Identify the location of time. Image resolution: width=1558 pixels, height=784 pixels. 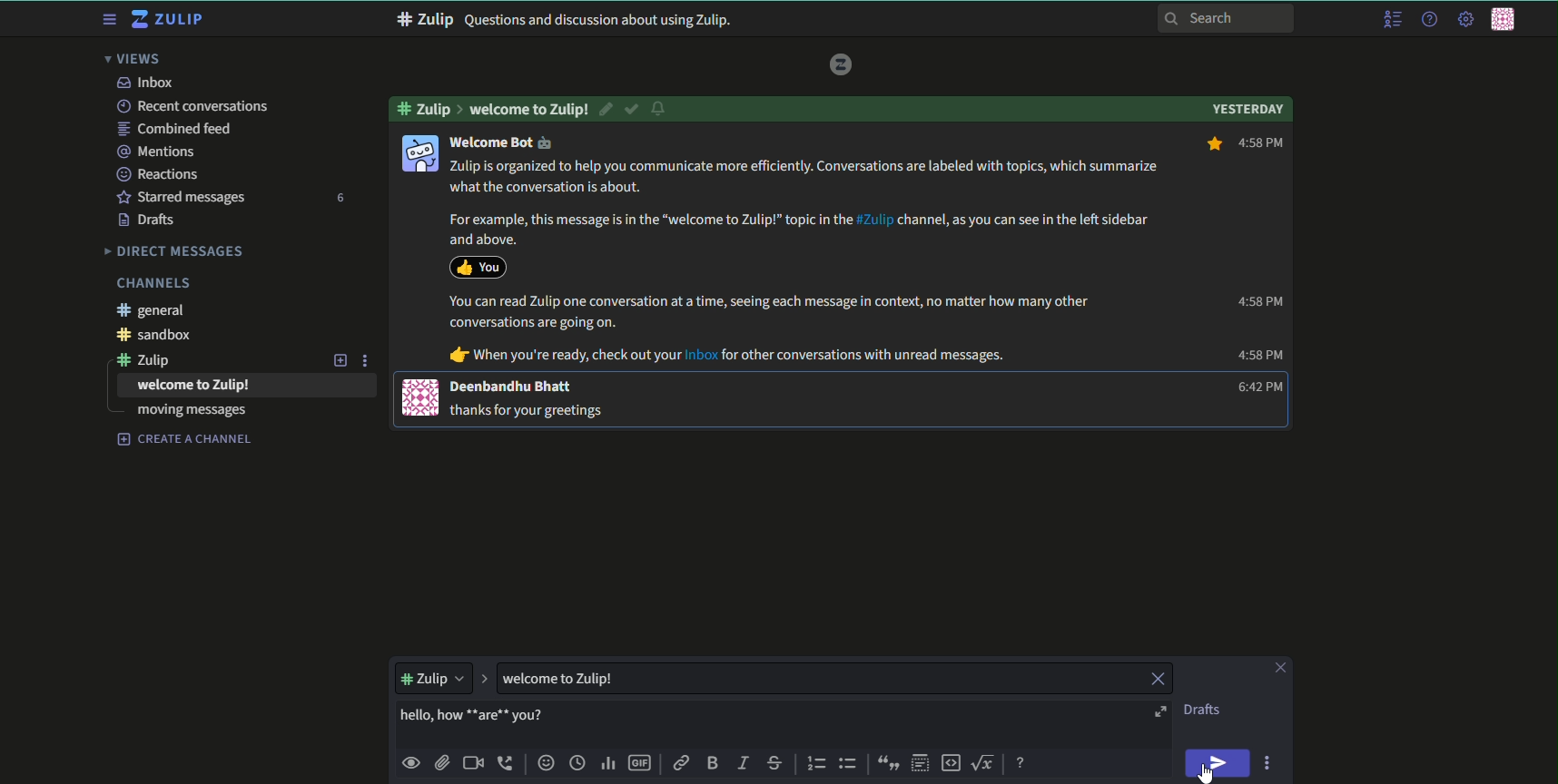
(579, 764).